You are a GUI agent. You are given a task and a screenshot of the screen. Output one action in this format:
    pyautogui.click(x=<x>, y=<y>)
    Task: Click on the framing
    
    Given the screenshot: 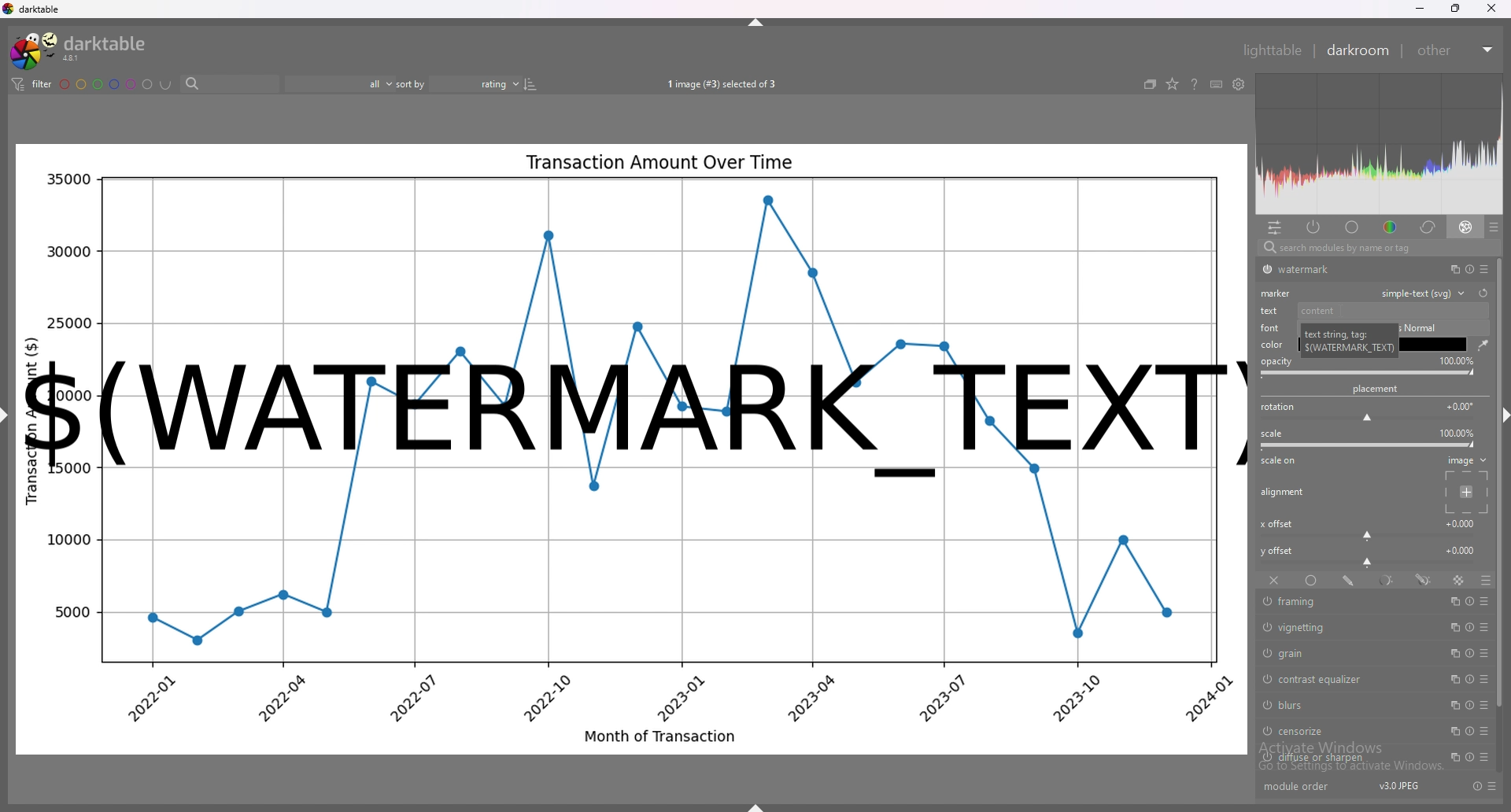 What is the action you would take?
    pyautogui.click(x=1346, y=602)
    